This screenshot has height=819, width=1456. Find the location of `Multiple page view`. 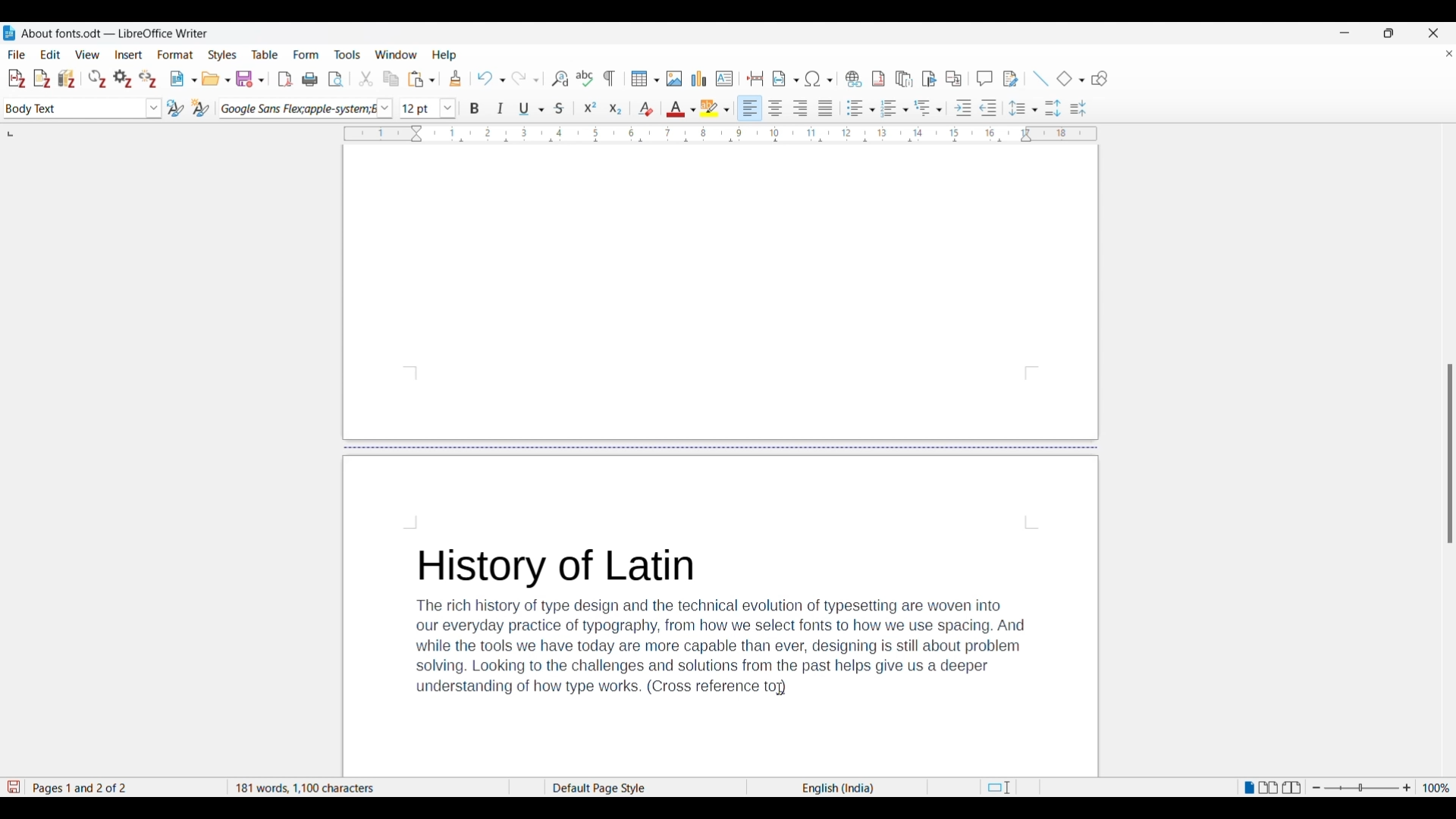

Multiple page view is located at coordinates (1268, 788).